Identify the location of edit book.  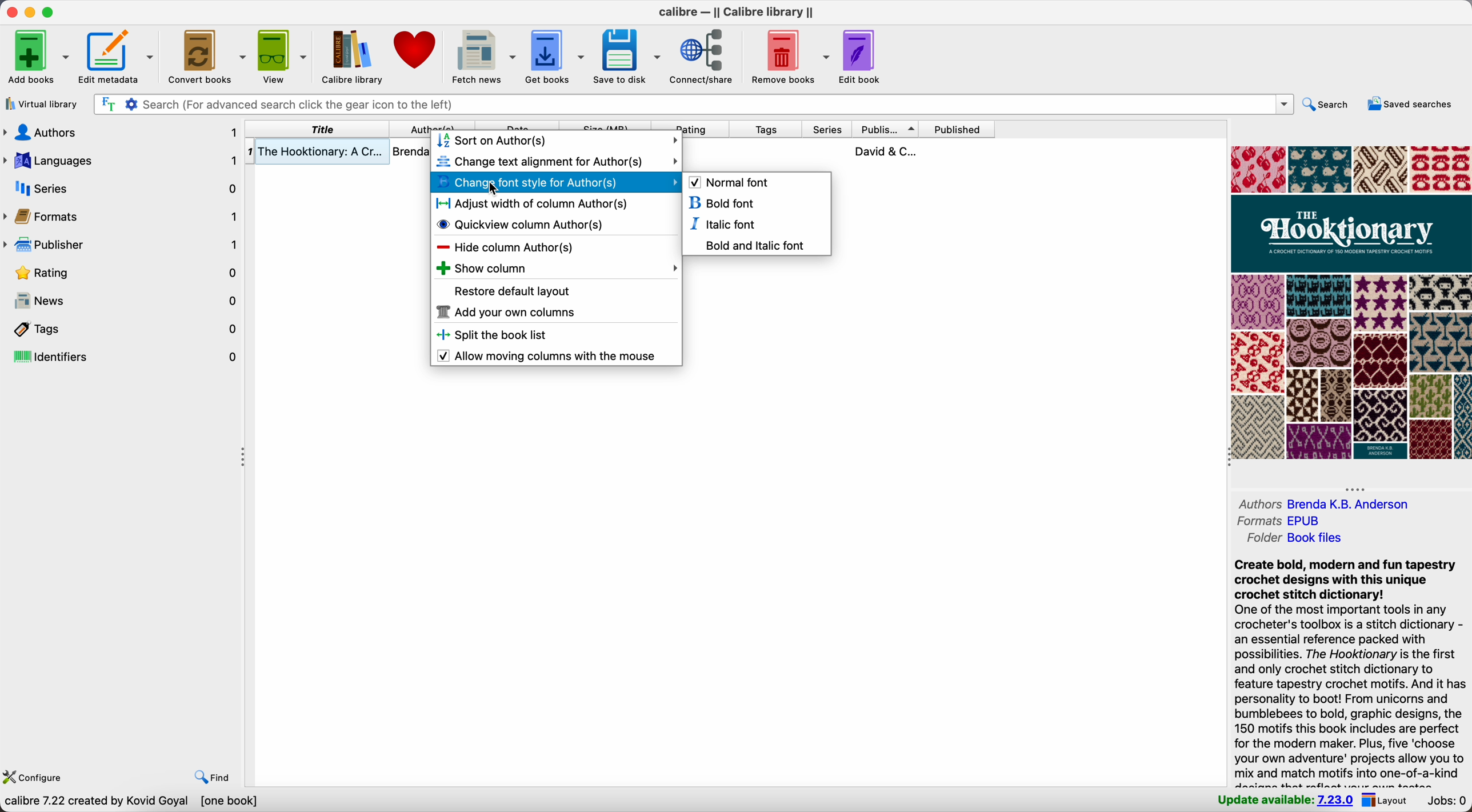
(858, 58).